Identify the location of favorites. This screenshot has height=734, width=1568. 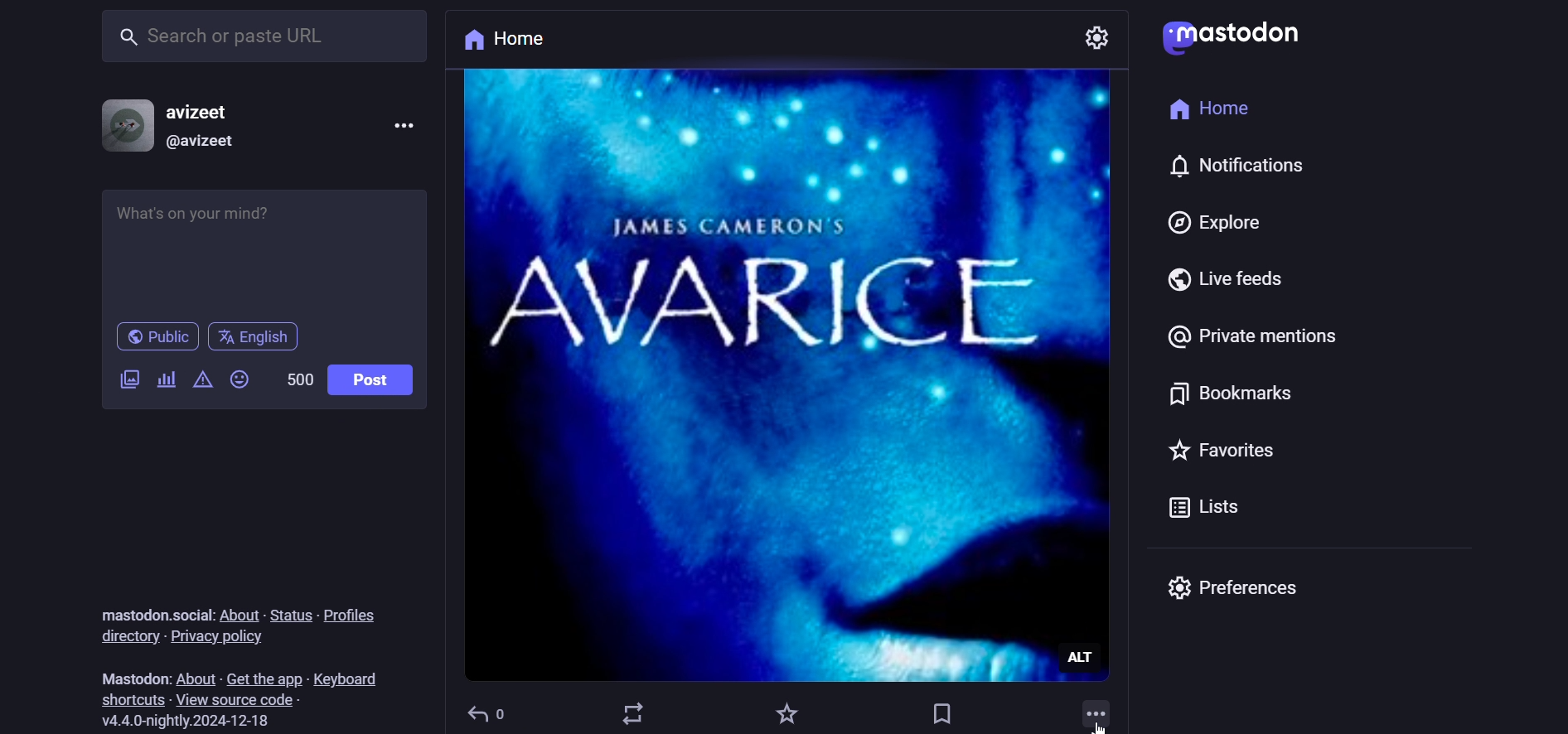
(1148, 447).